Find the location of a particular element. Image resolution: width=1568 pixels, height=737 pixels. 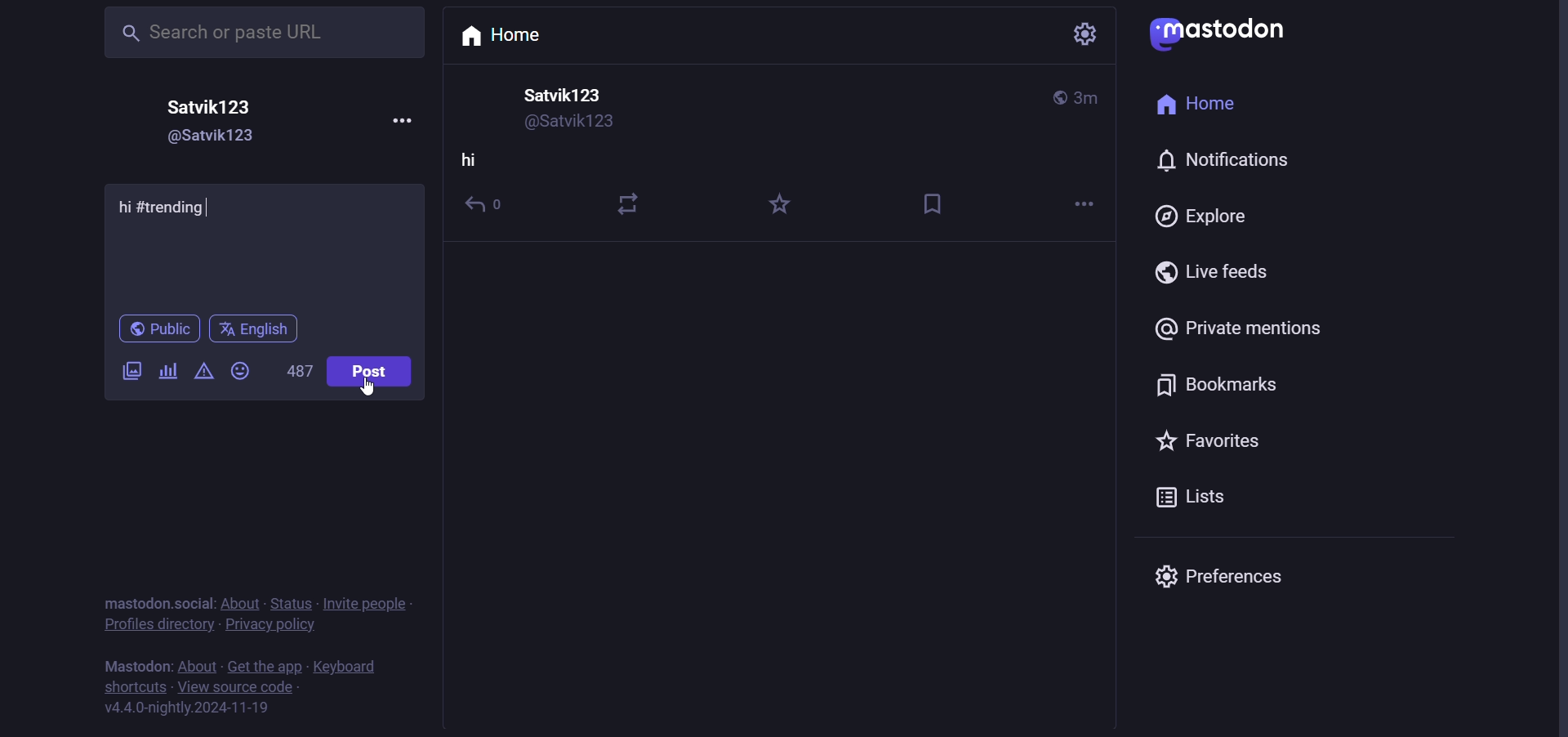

social is located at coordinates (196, 601).